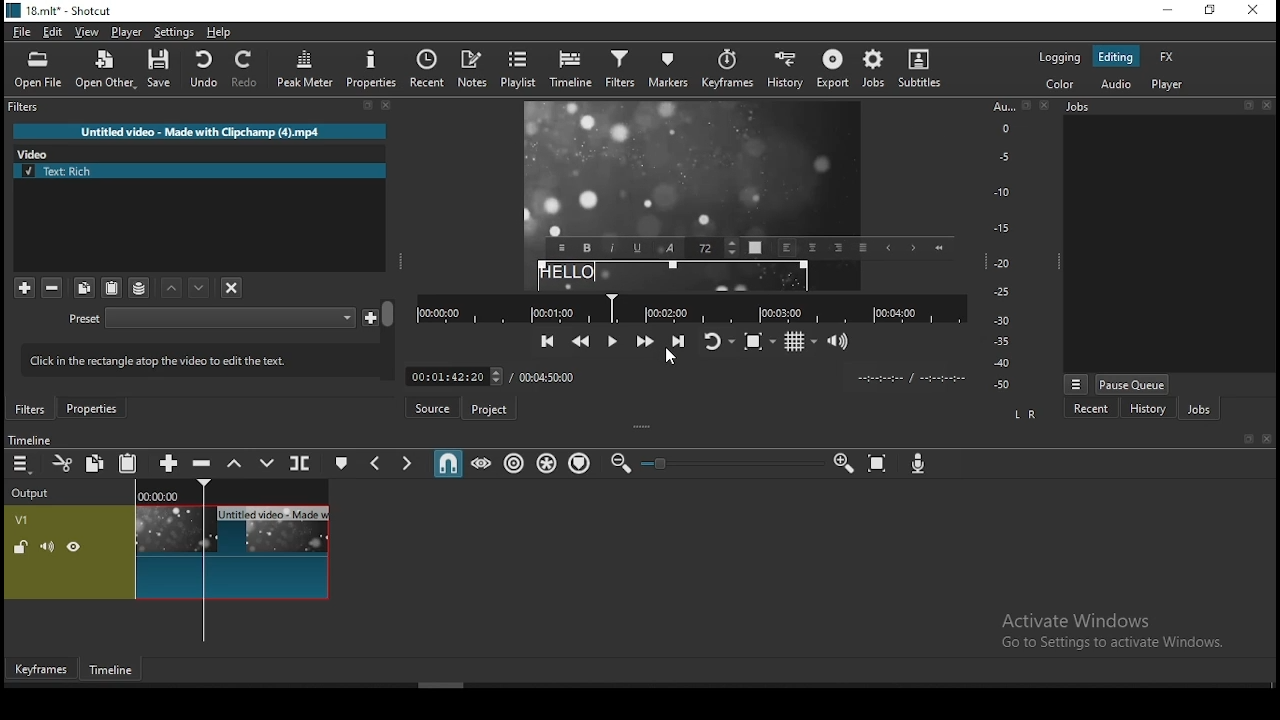 This screenshot has height=720, width=1280. What do you see at coordinates (38, 152) in the screenshot?
I see `Video` at bounding box center [38, 152].